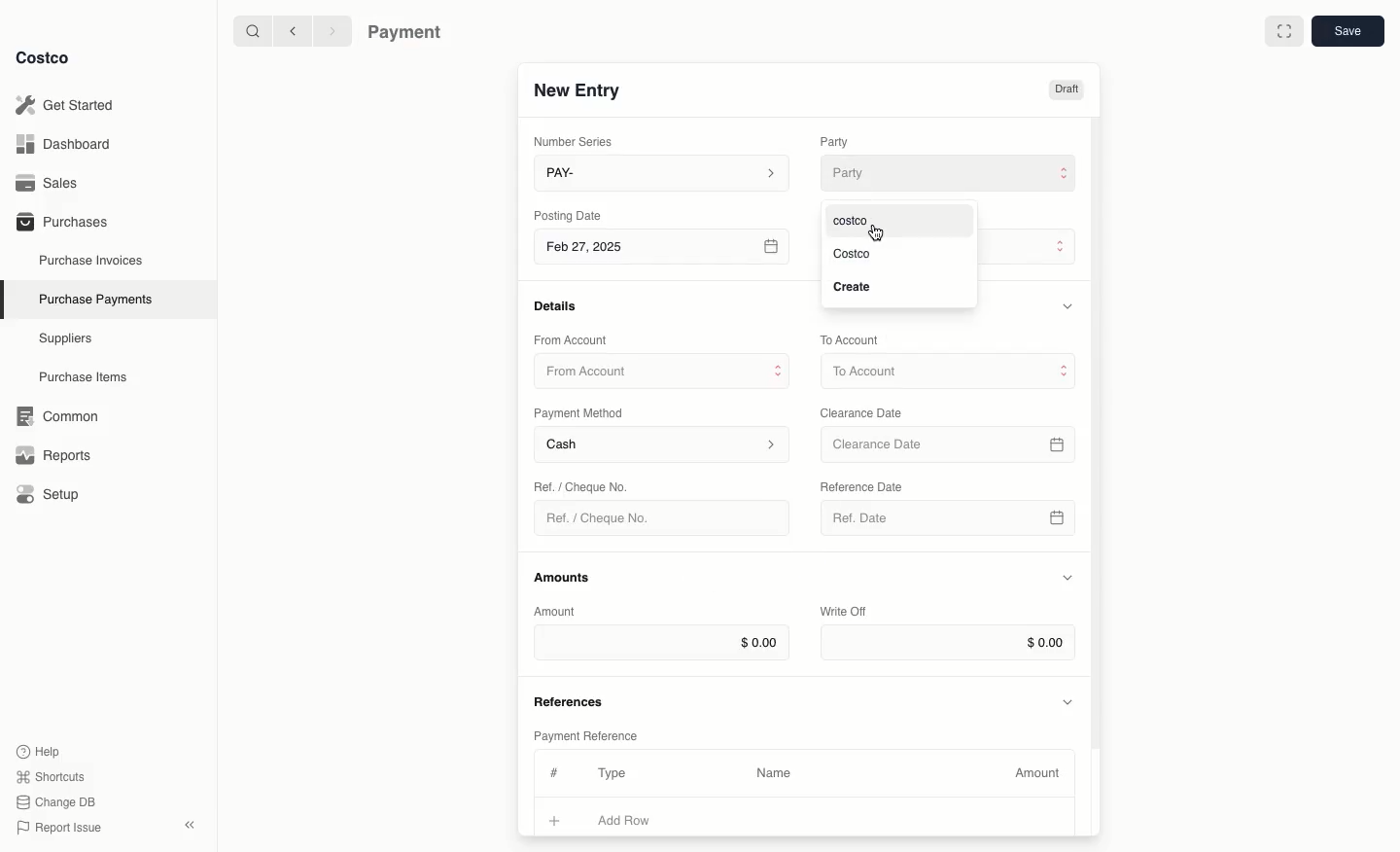 The height and width of the screenshot is (852, 1400). Describe the element at coordinates (1284, 34) in the screenshot. I see `Full width toggle` at that location.